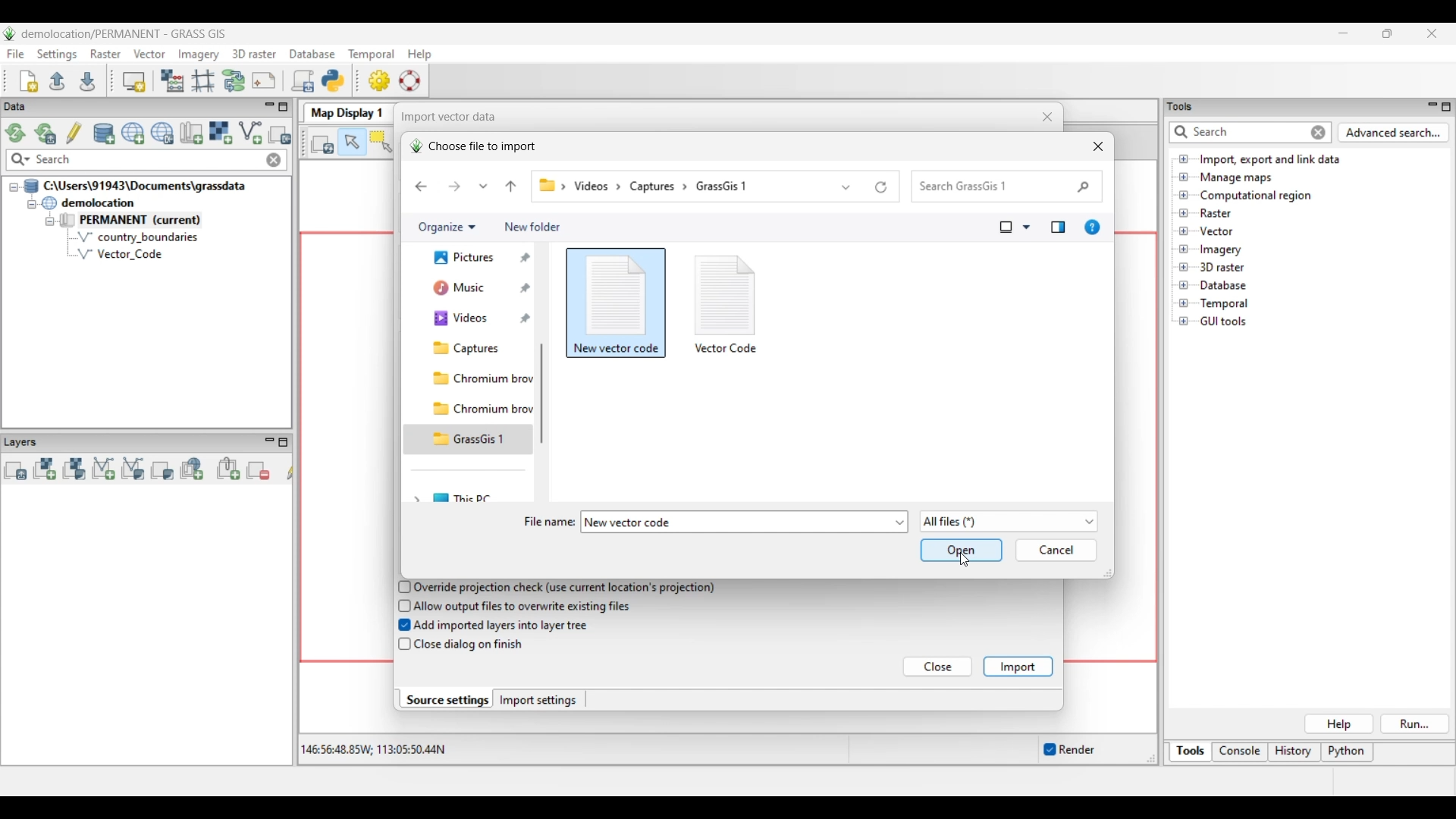 The width and height of the screenshot is (1456, 819). Describe the element at coordinates (148, 160) in the screenshot. I see `Type in map for quick search` at that location.